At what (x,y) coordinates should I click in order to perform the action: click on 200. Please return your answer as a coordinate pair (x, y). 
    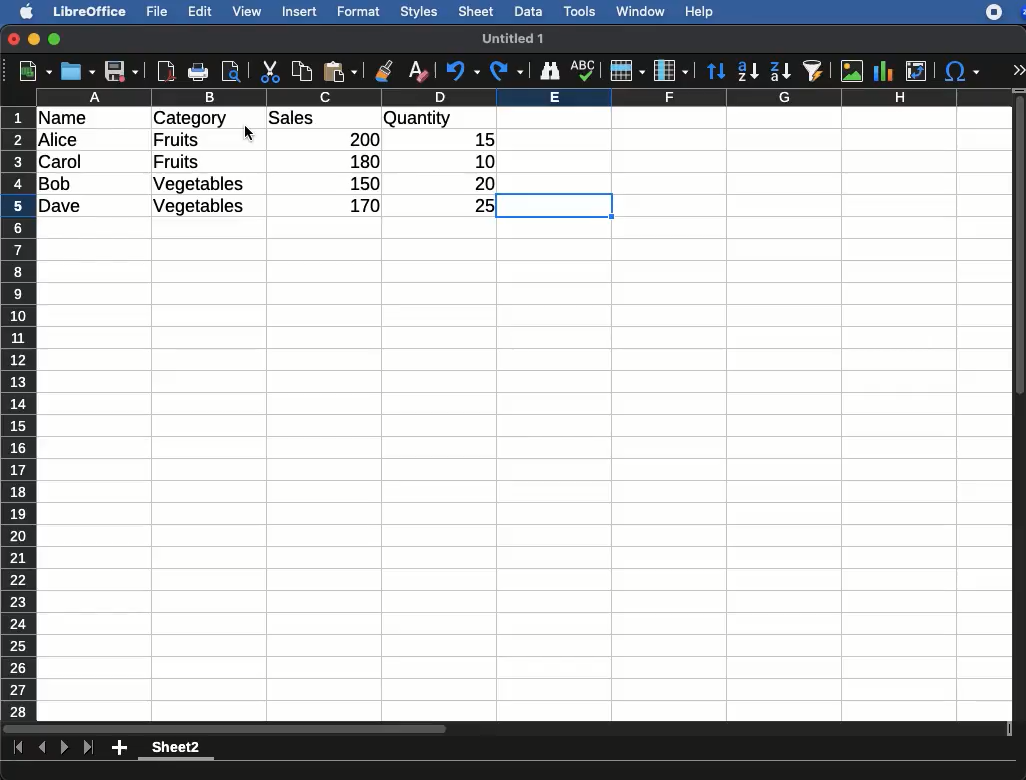
    Looking at the image, I should click on (359, 139).